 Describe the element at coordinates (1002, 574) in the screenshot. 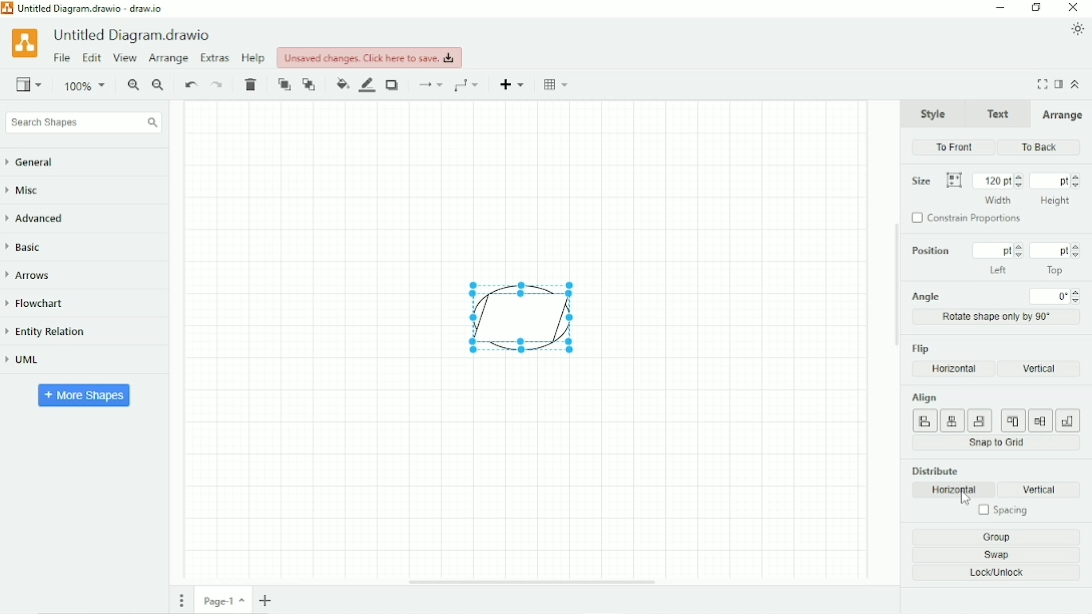

I see `Lock/Unlock` at that location.